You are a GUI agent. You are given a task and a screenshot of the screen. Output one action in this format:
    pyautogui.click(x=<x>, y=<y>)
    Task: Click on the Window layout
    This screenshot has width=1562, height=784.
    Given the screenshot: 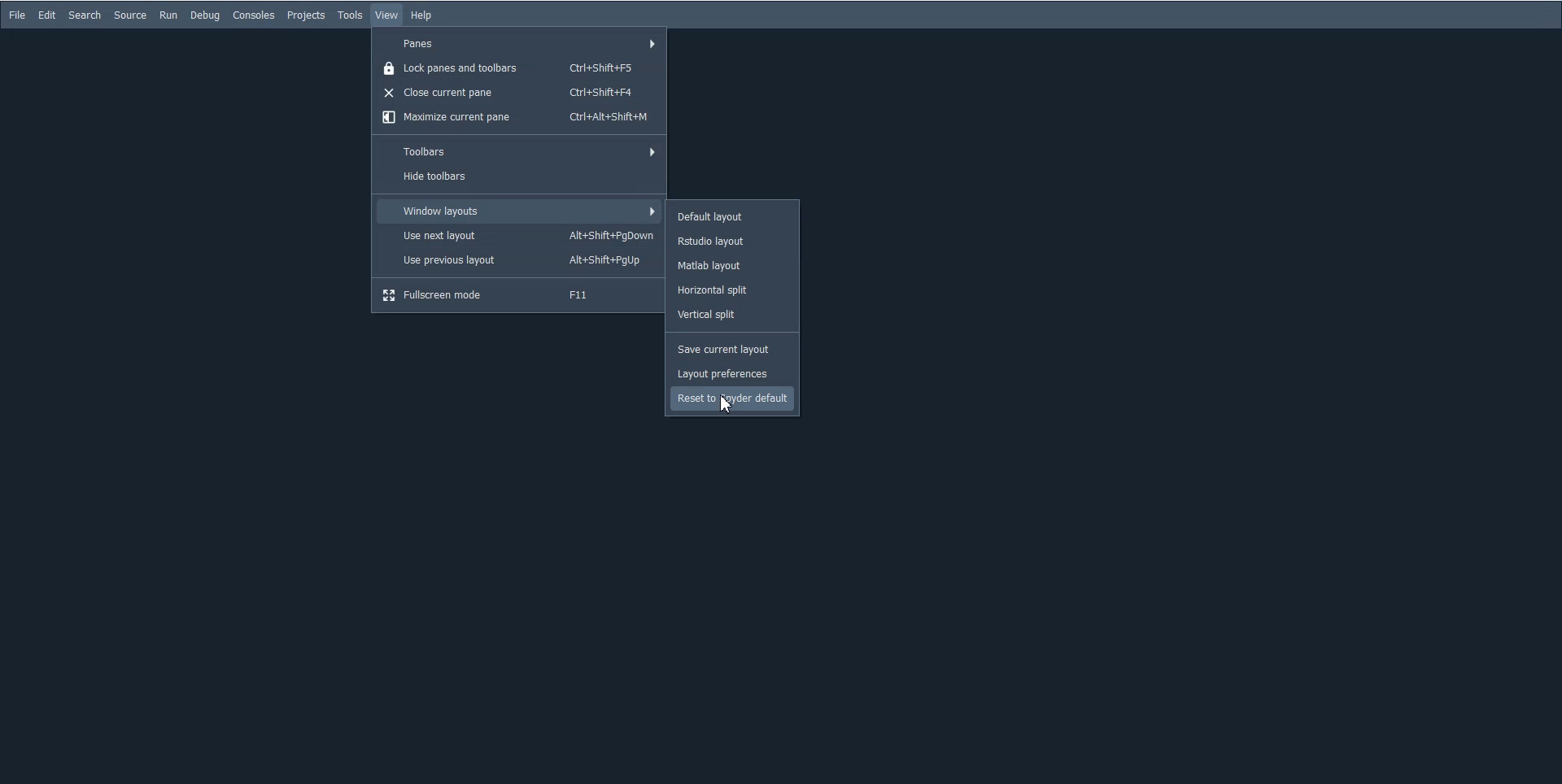 What is the action you would take?
    pyautogui.click(x=517, y=211)
    